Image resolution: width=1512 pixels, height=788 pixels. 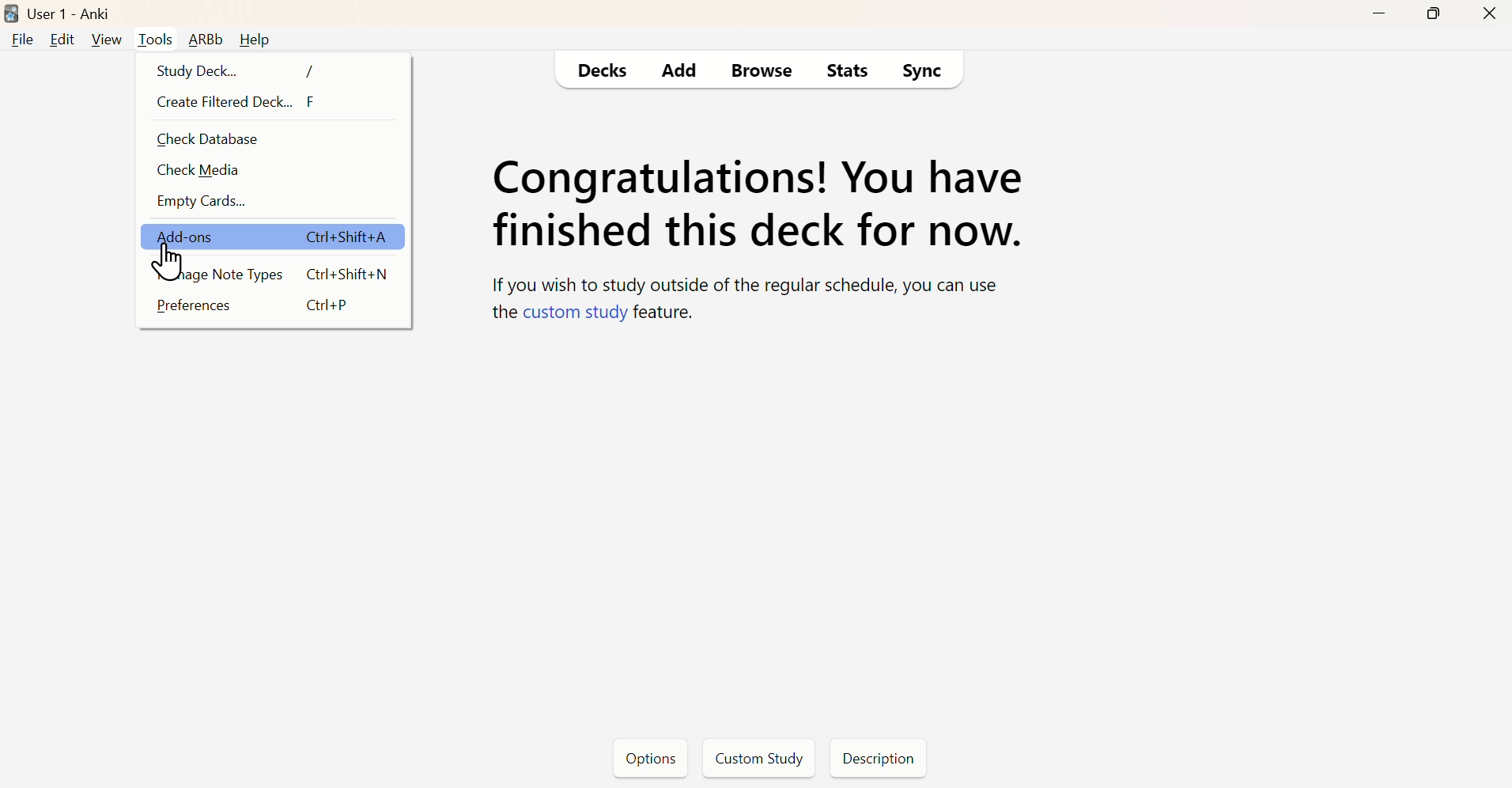 I want to click on Help, so click(x=255, y=40).